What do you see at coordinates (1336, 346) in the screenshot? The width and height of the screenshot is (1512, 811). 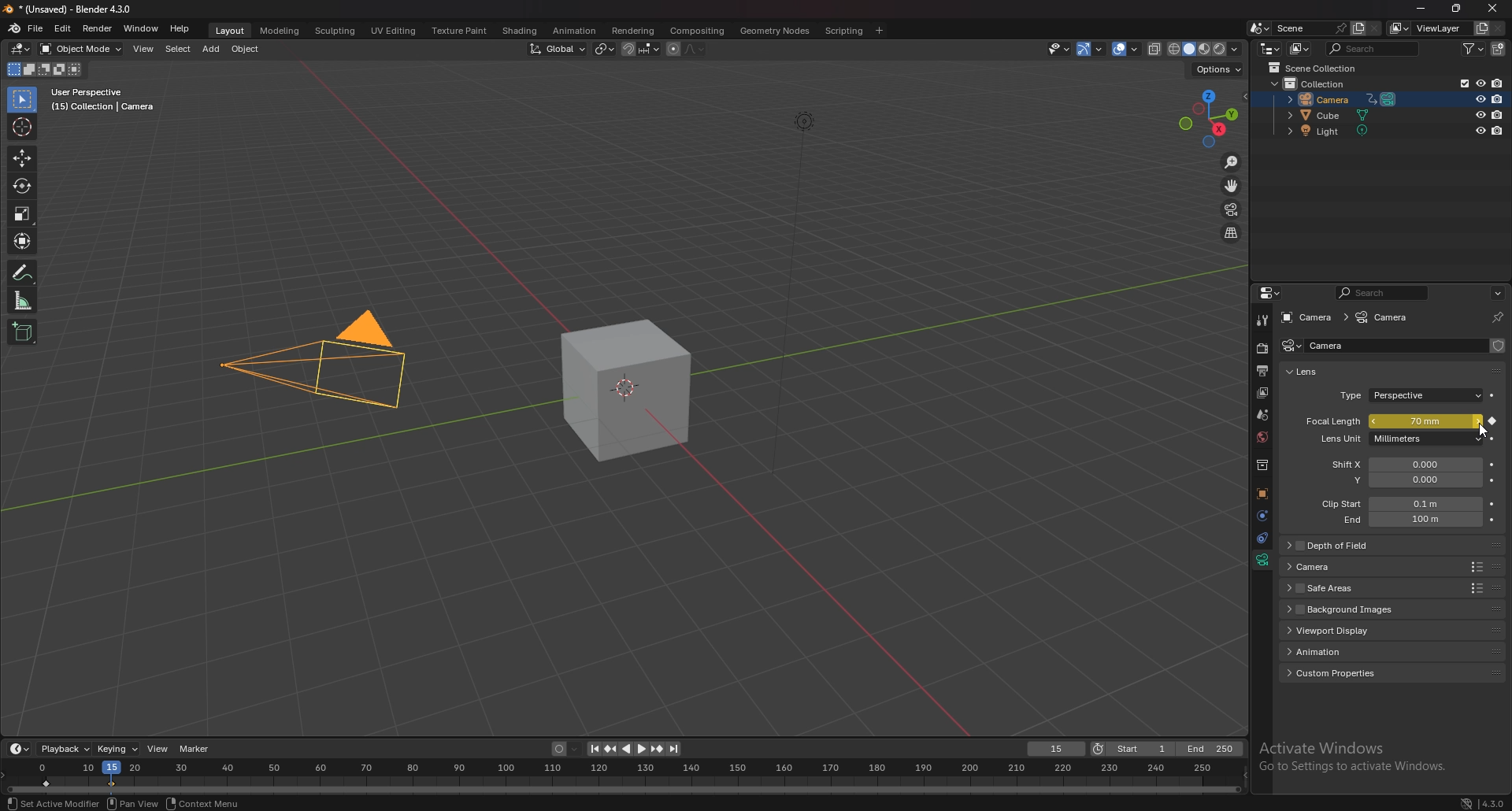 I see `name` at bounding box center [1336, 346].